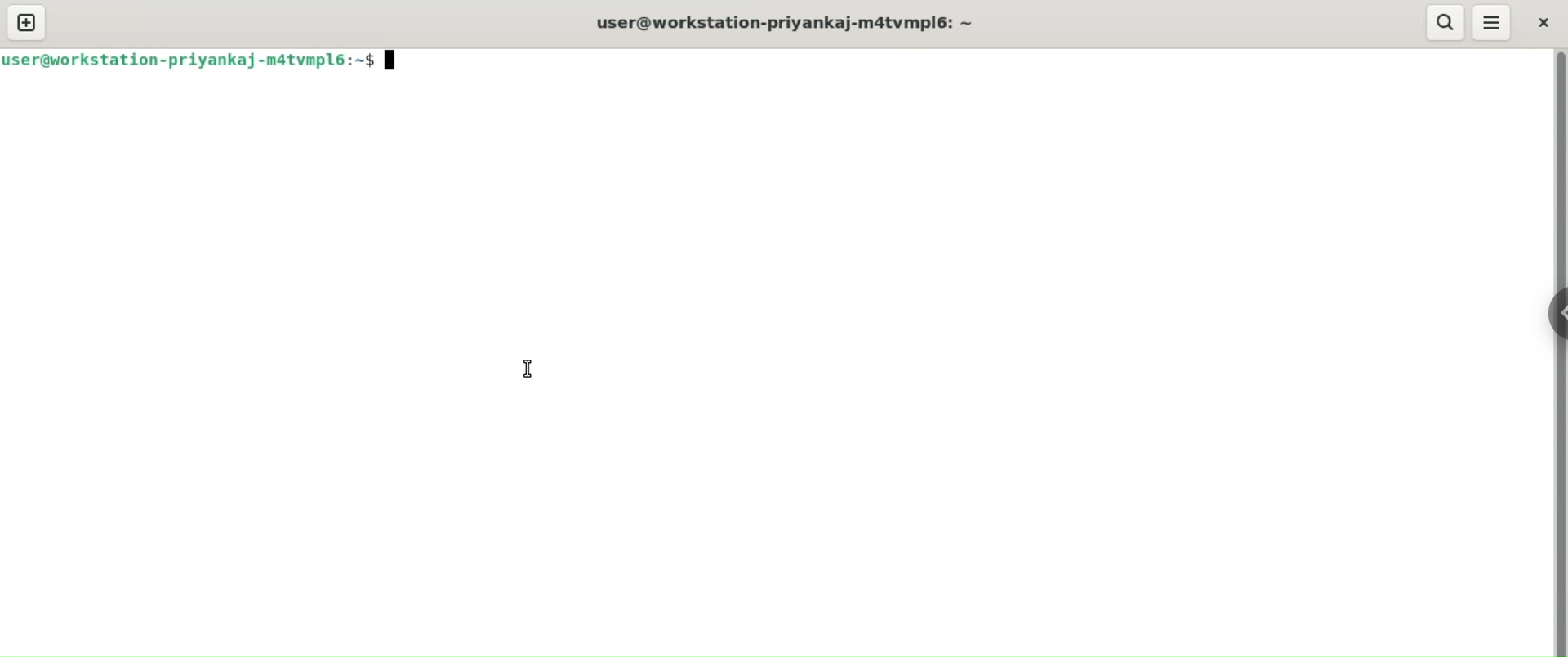  Describe the element at coordinates (1442, 23) in the screenshot. I see `search` at that location.